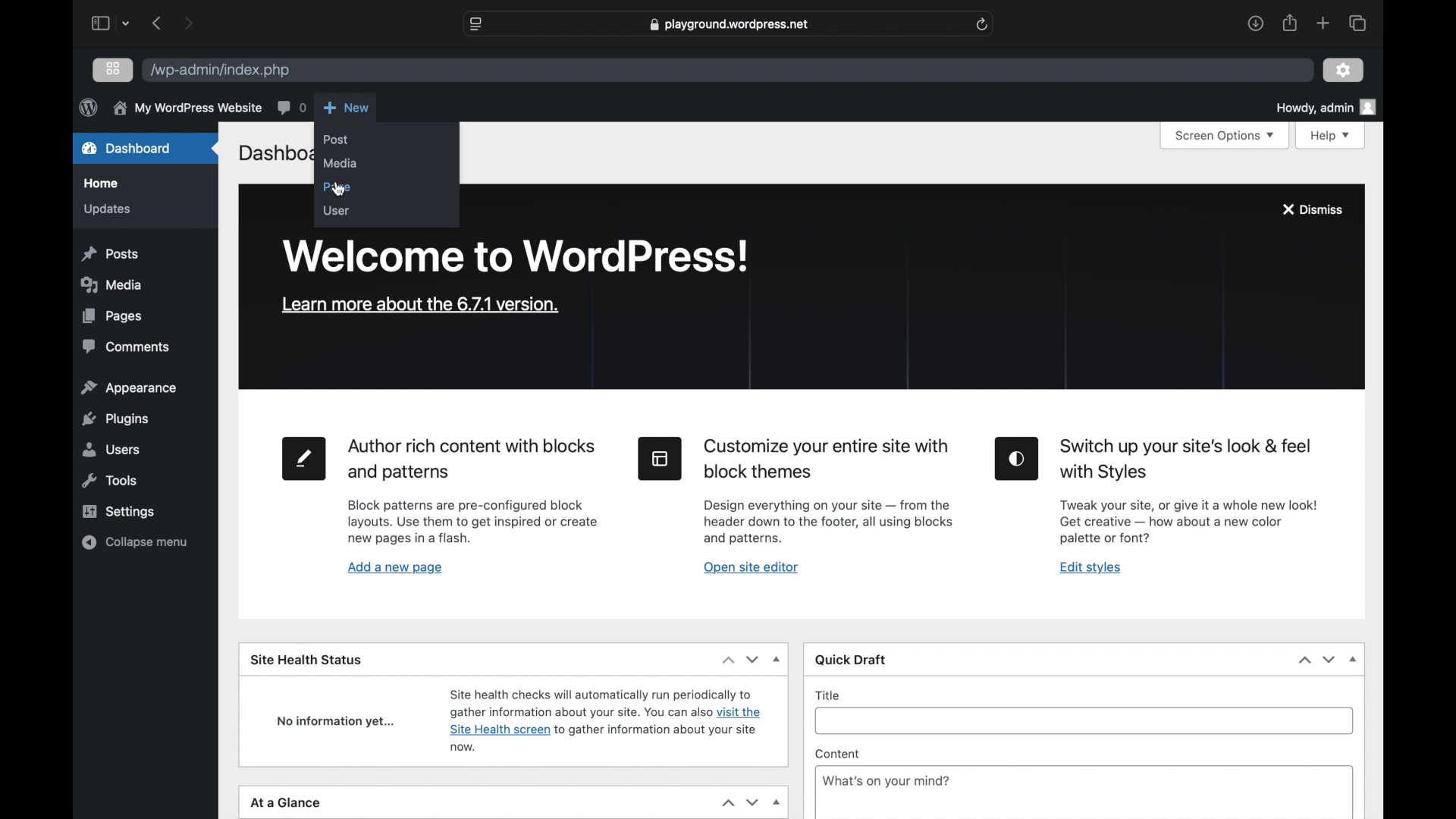 This screenshot has height=819, width=1456. Describe the element at coordinates (136, 543) in the screenshot. I see `collapse menu` at that location.